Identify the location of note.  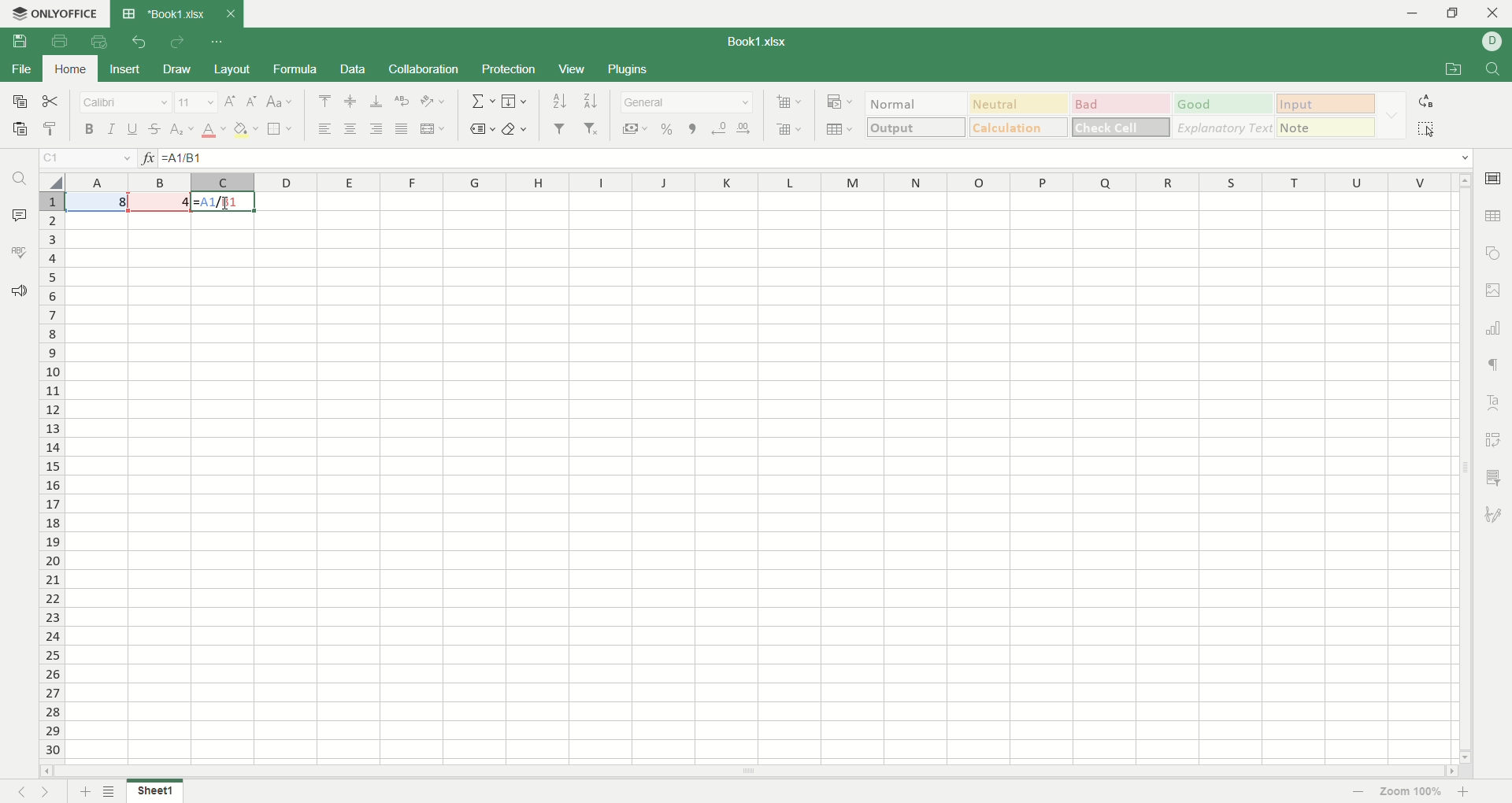
(1326, 127).